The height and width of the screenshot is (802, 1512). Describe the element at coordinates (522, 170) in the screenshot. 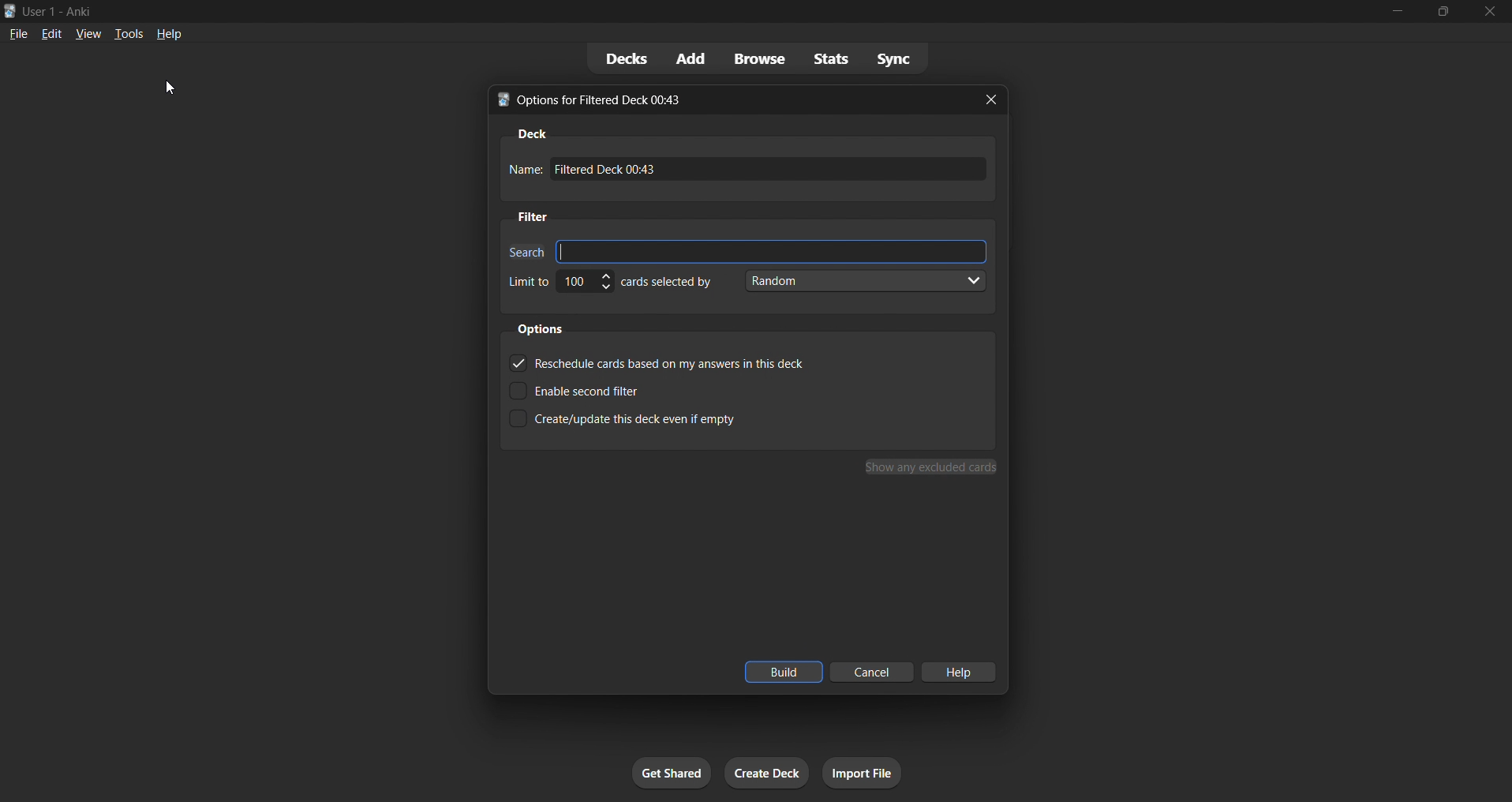

I see `name` at that location.